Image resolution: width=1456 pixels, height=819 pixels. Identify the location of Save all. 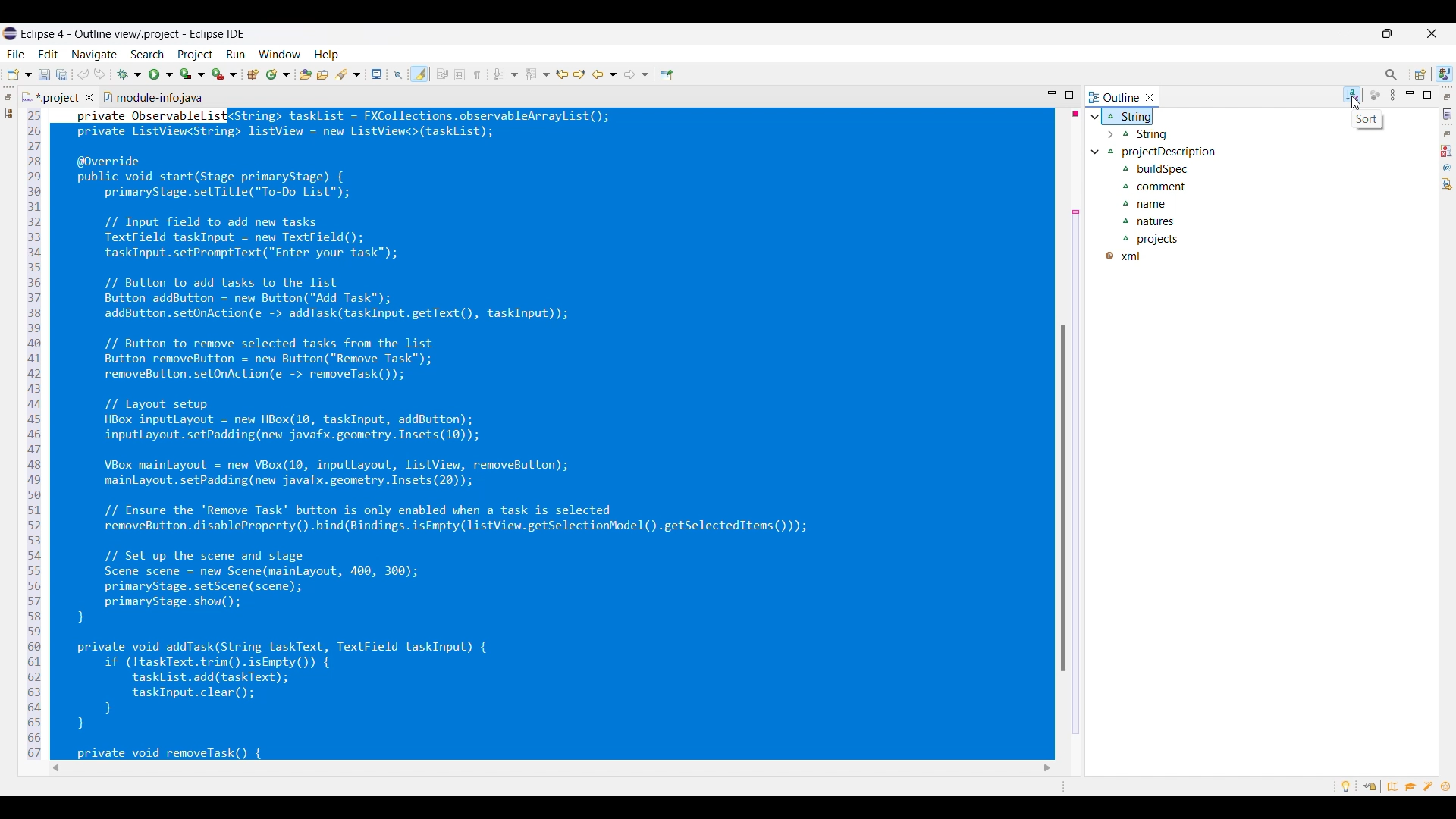
(62, 75).